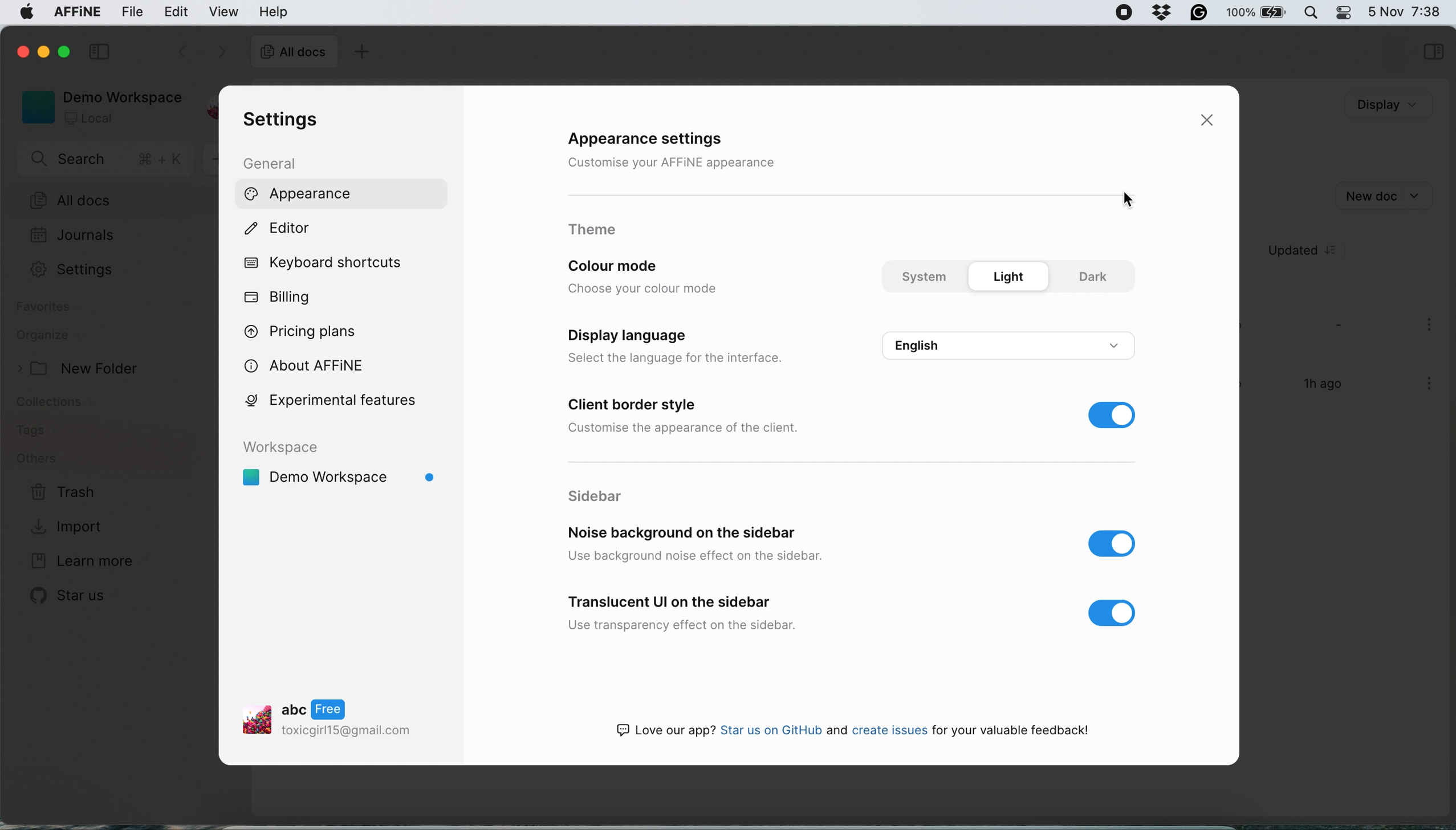 The image size is (1456, 830). Describe the element at coordinates (70, 599) in the screenshot. I see `star us` at that location.